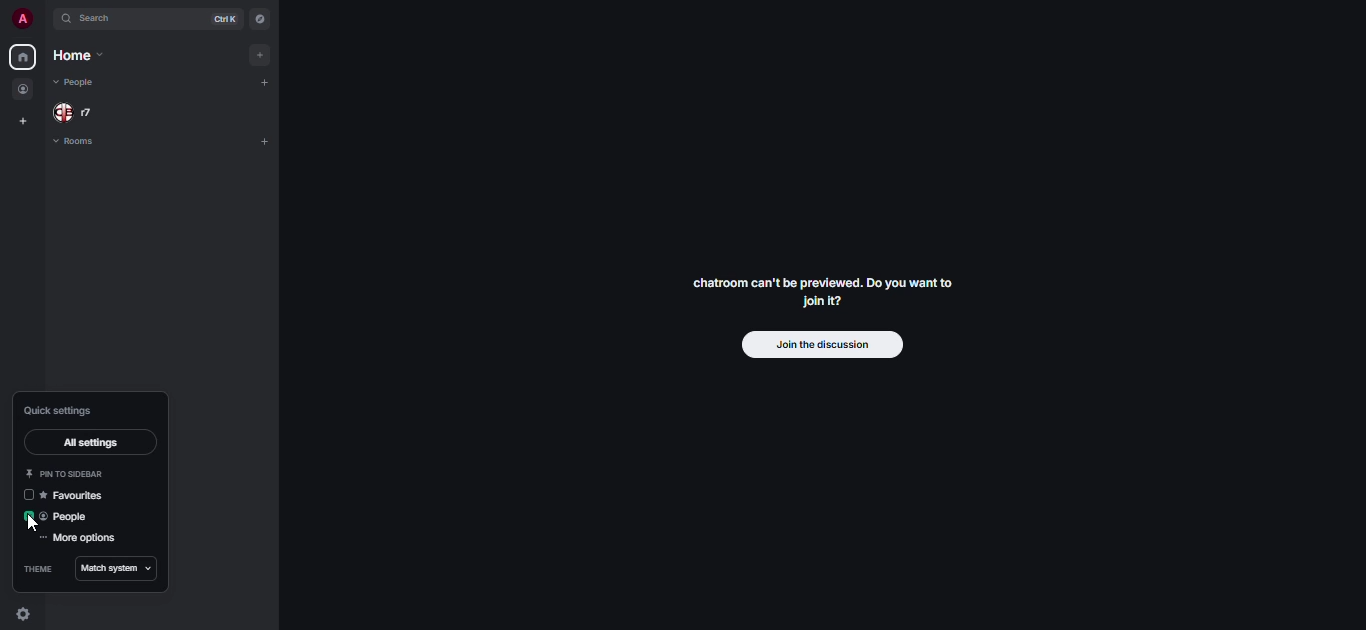 The width and height of the screenshot is (1366, 630). What do you see at coordinates (20, 18) in the screenshot?
I see `profile` at bounding box center [20, 18].